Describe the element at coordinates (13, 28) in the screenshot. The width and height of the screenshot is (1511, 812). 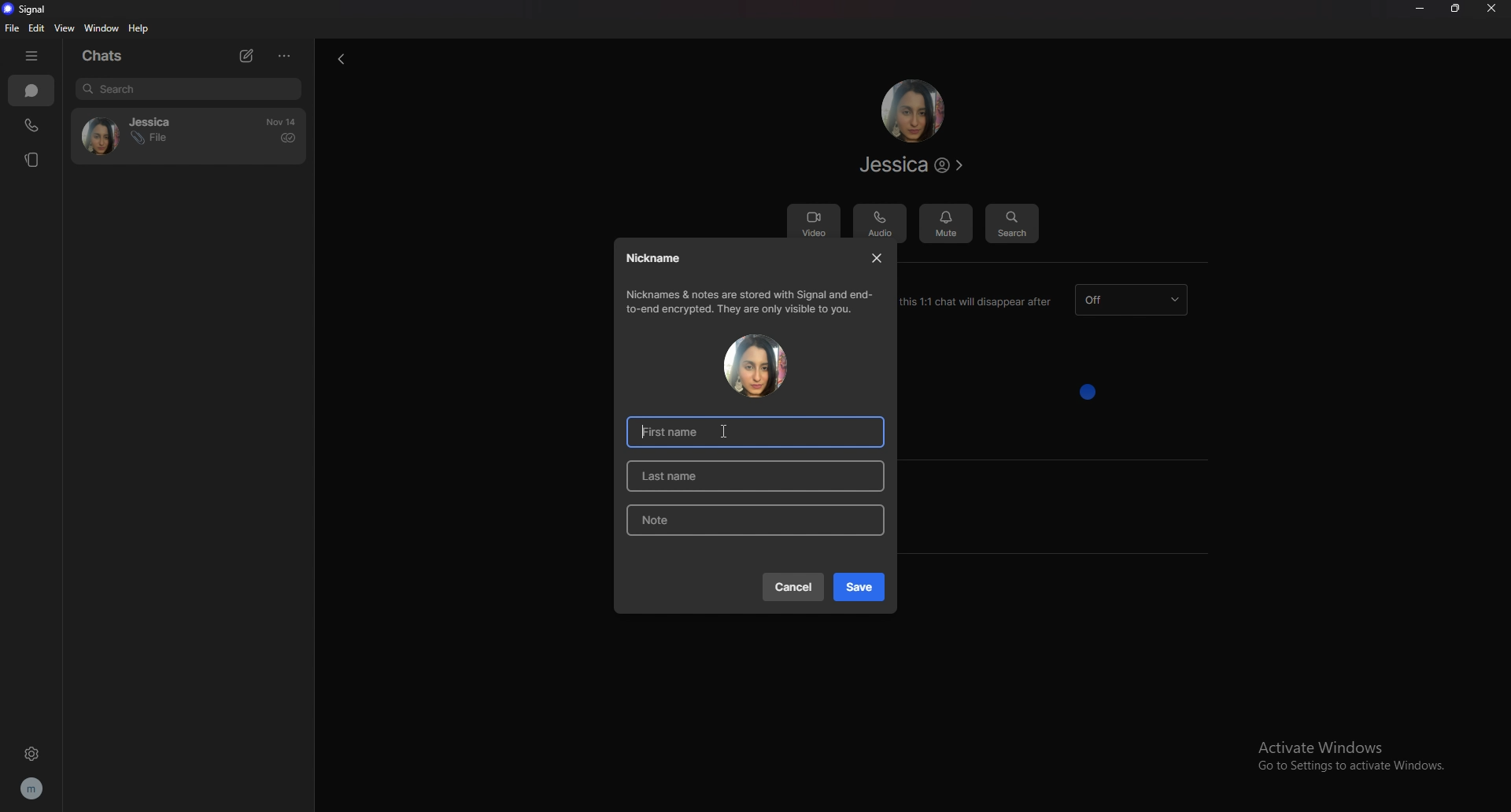
I see `file` at that location.